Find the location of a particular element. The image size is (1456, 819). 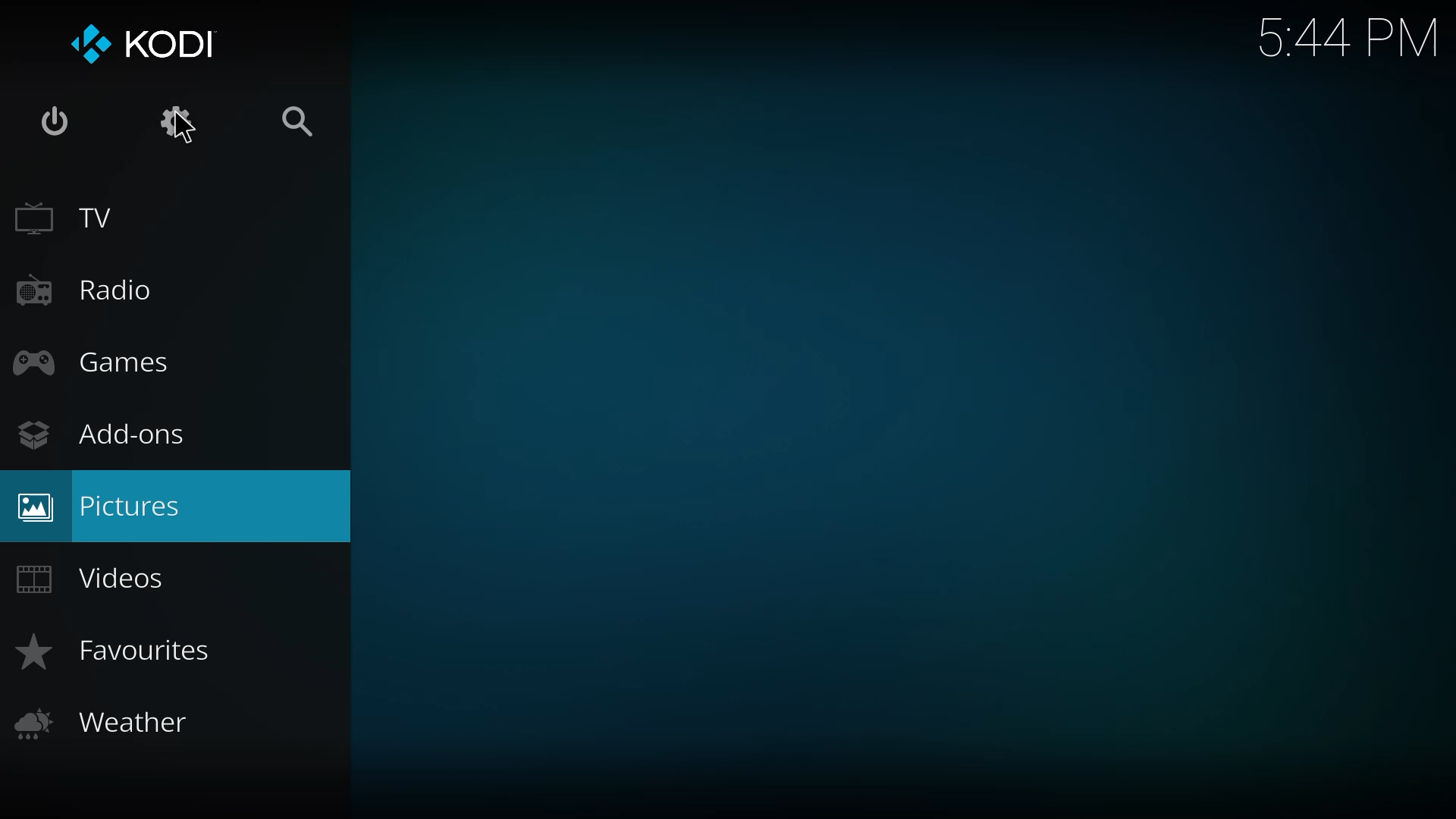

0:44 PM is located at coordinates (1348, 42).